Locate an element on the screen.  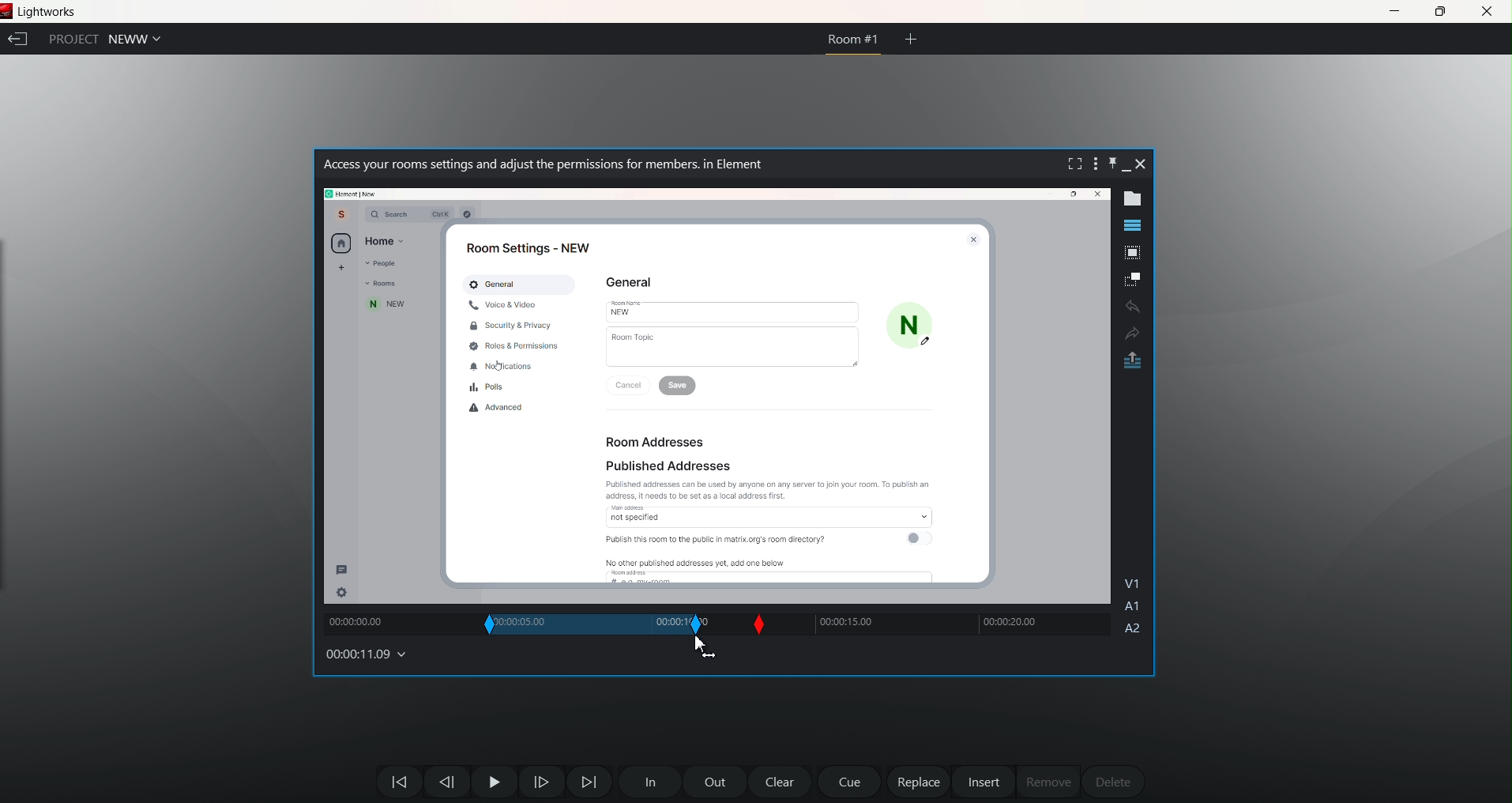
Cancel is located at coordinates (630, 383).